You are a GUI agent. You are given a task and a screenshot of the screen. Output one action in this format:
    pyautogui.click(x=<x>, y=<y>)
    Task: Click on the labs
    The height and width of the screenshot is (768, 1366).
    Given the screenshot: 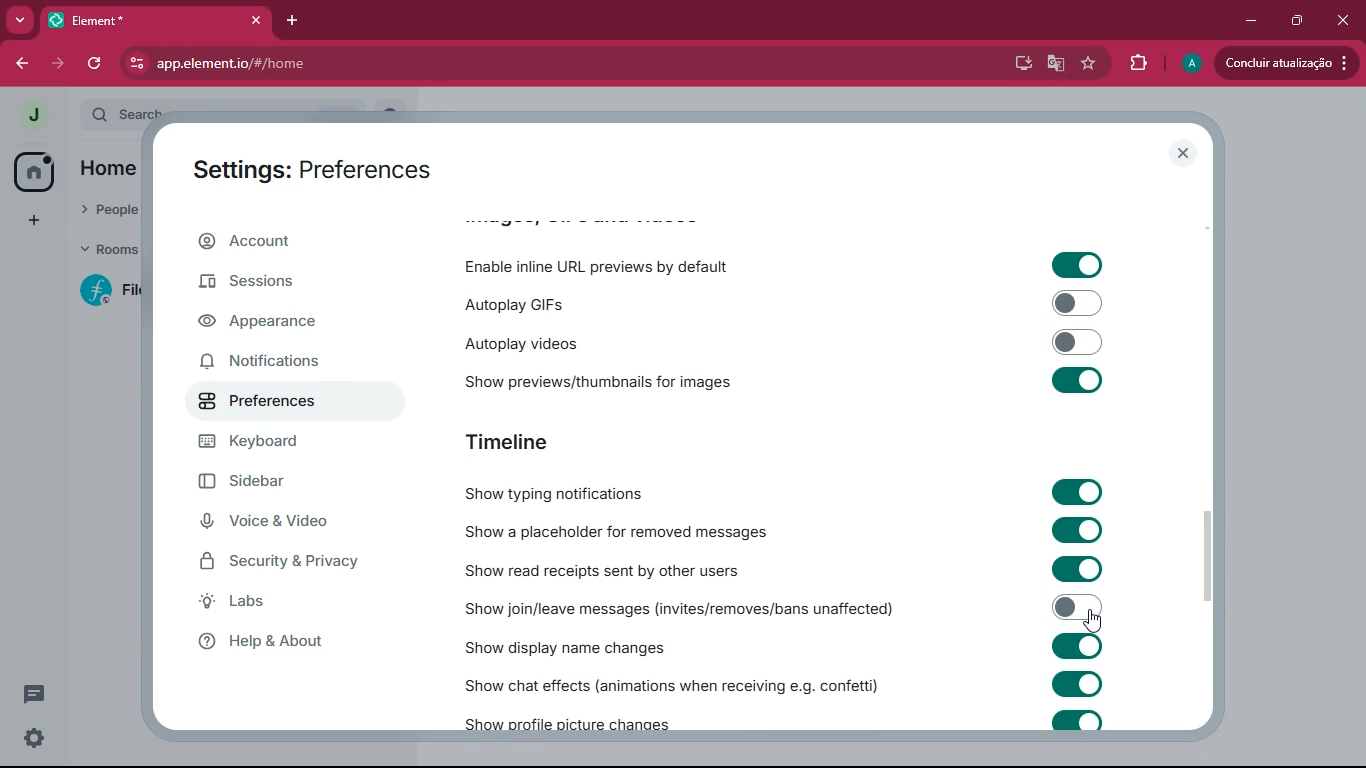 What is the action you would take?
    pyautogui.click(x=272, y=606)
    